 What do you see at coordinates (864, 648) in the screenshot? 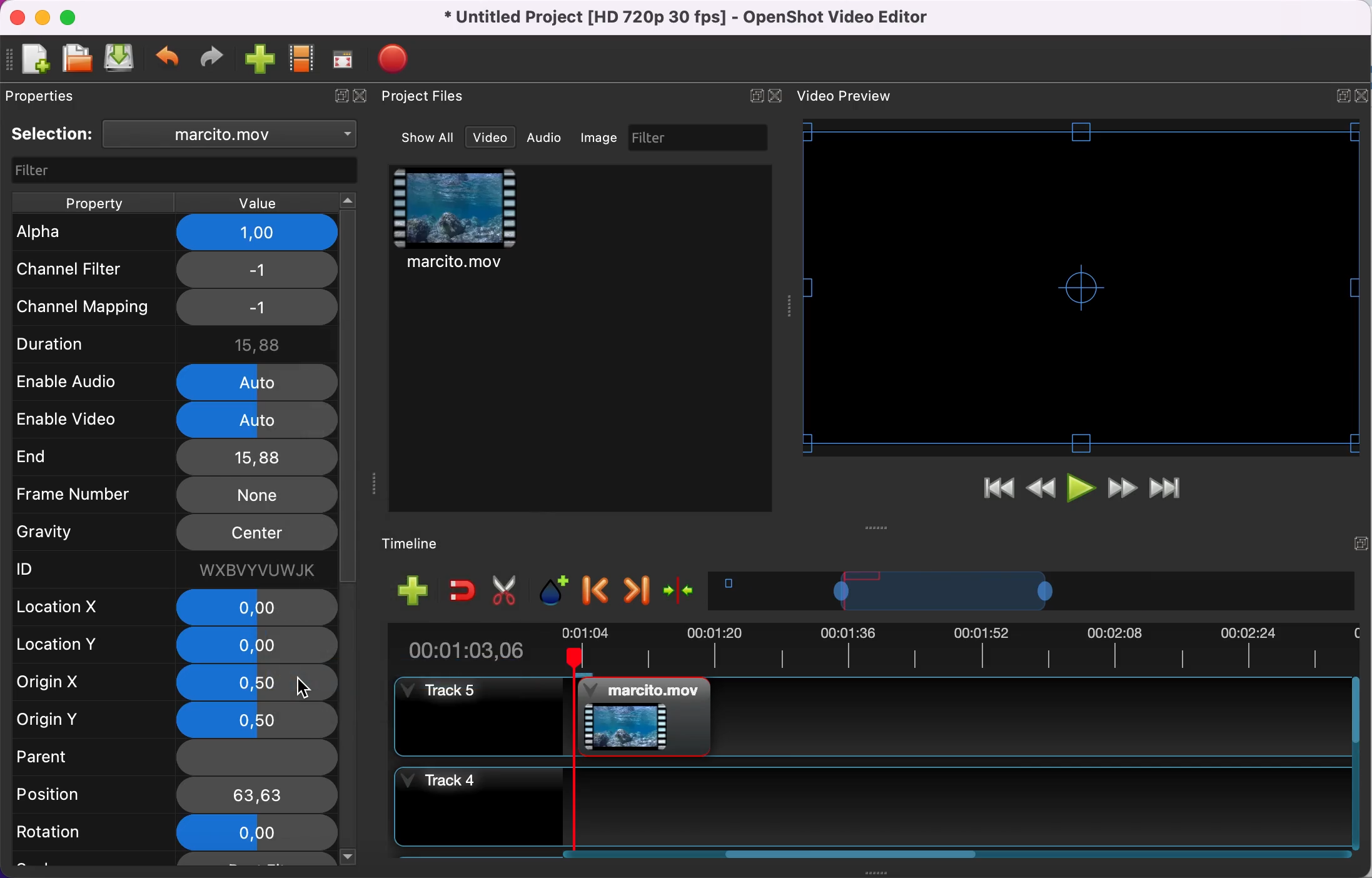
I see `clip duration` at bounding box center [864, 648].